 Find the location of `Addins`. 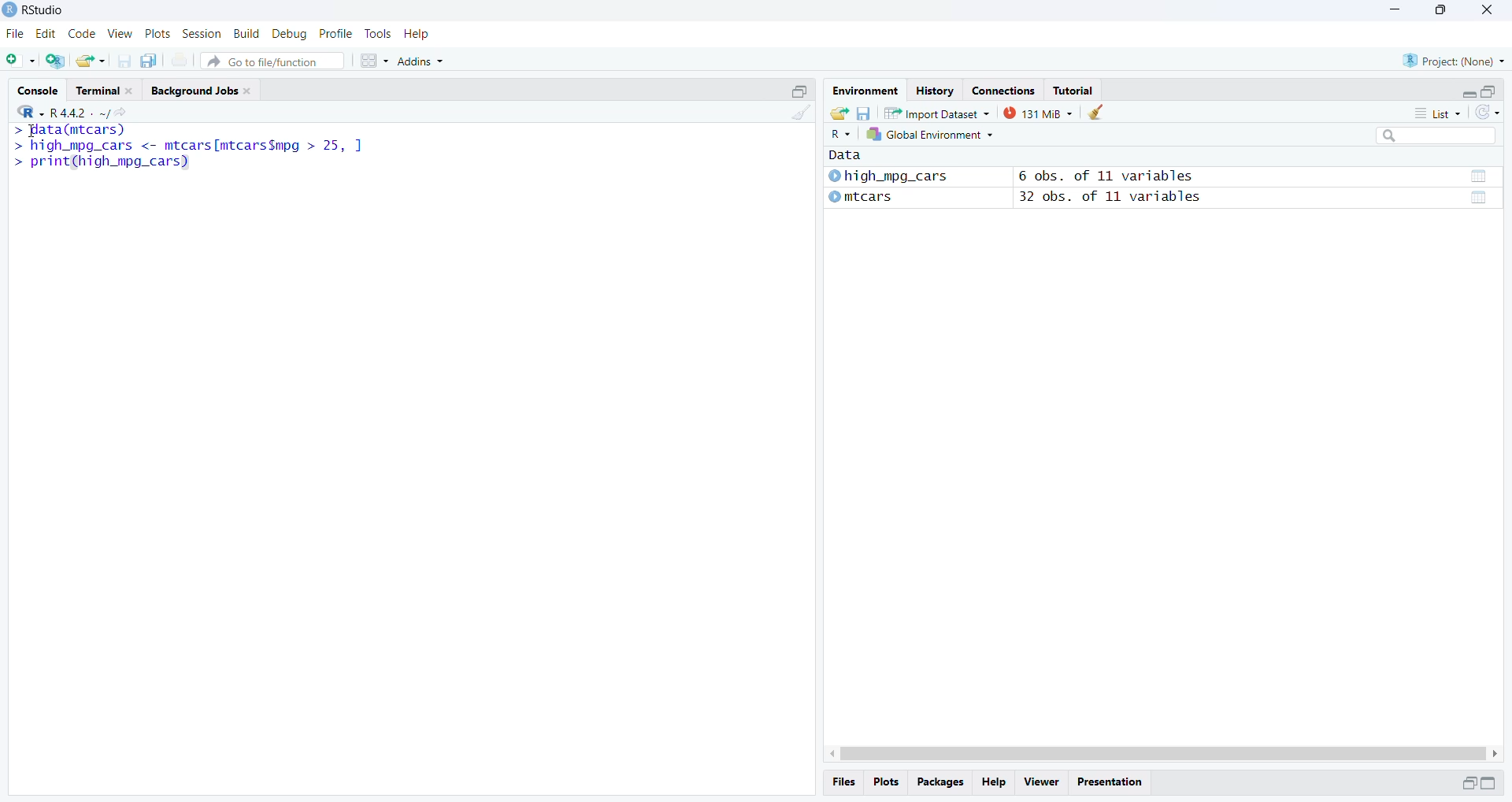

Addins is located at coordinates (421, 61).